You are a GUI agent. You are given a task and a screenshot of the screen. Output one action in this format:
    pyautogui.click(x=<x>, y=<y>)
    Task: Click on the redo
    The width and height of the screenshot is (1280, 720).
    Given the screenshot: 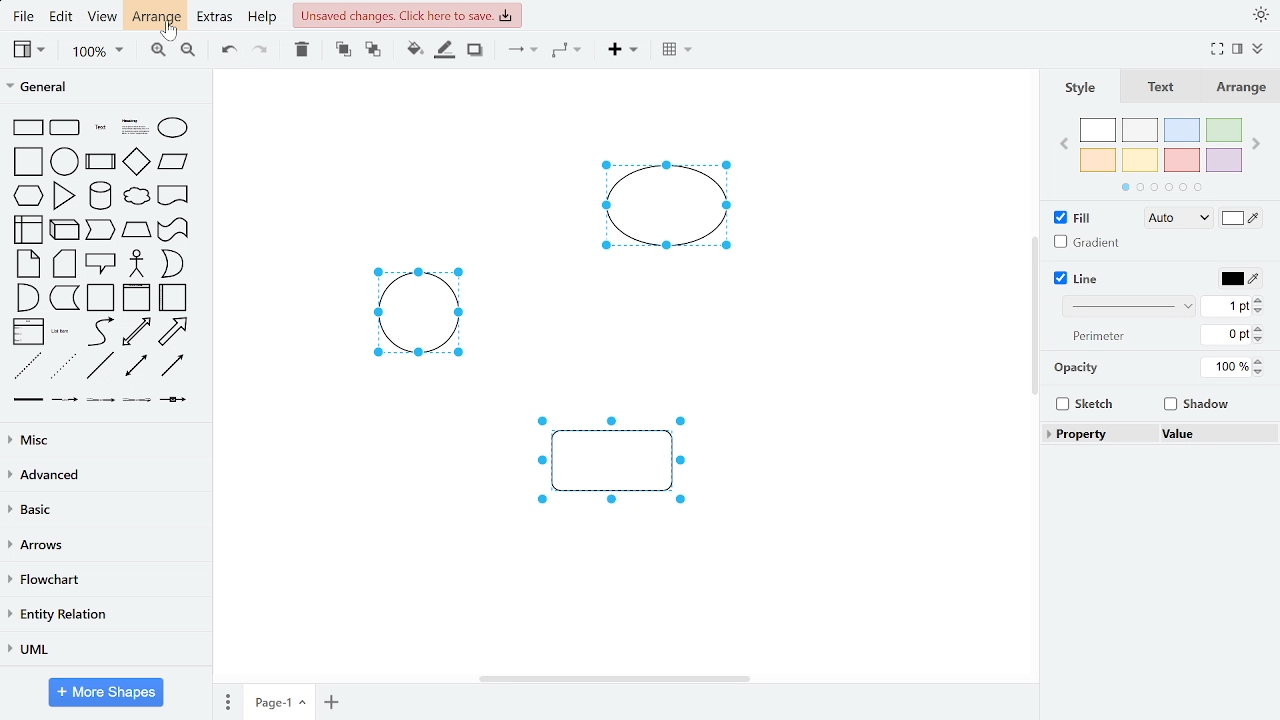 What is the action you would take?
    pyautogui.click(x=261, y=52)
    